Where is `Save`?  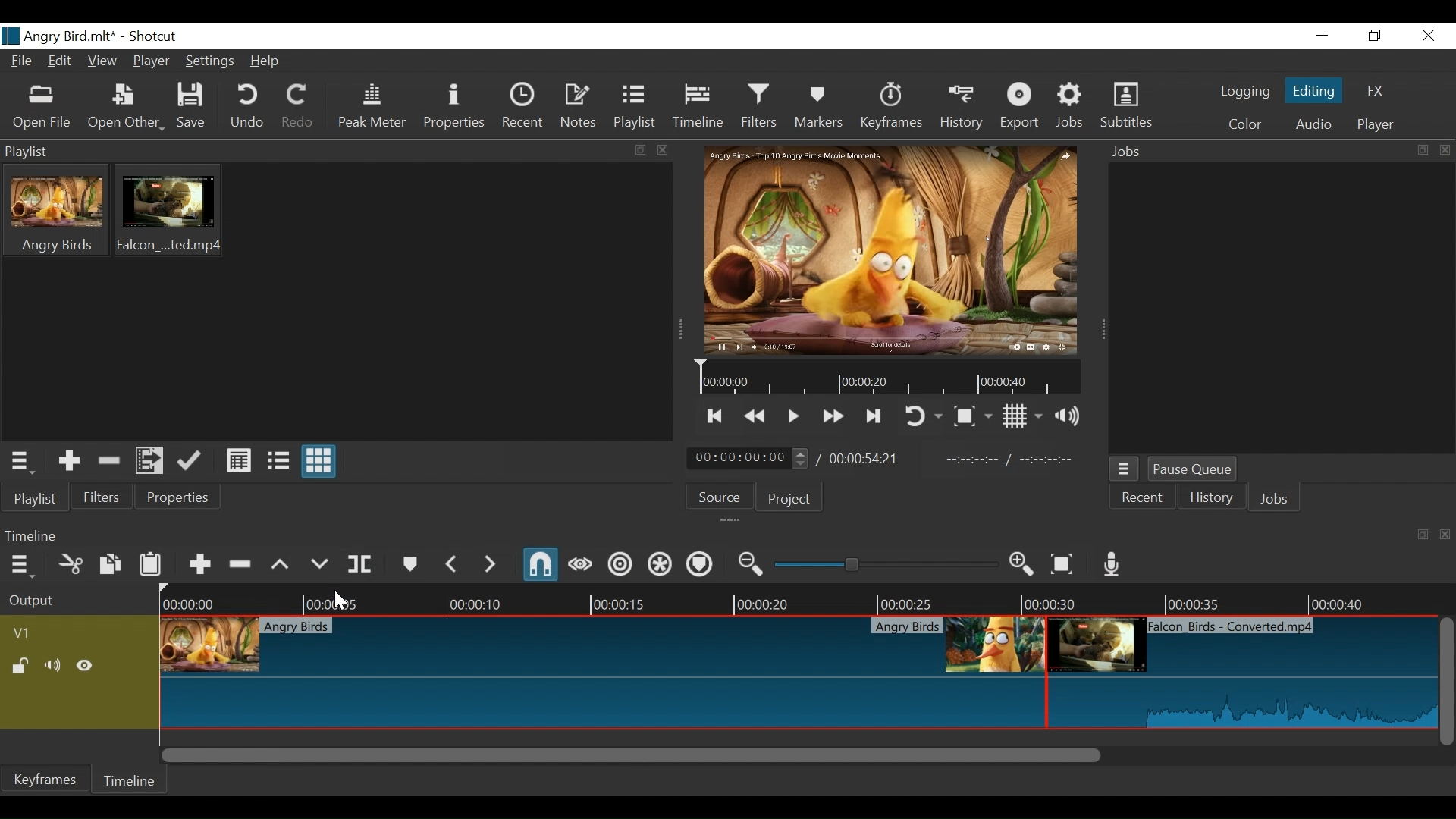
Save is located at coordinates (193, 108).